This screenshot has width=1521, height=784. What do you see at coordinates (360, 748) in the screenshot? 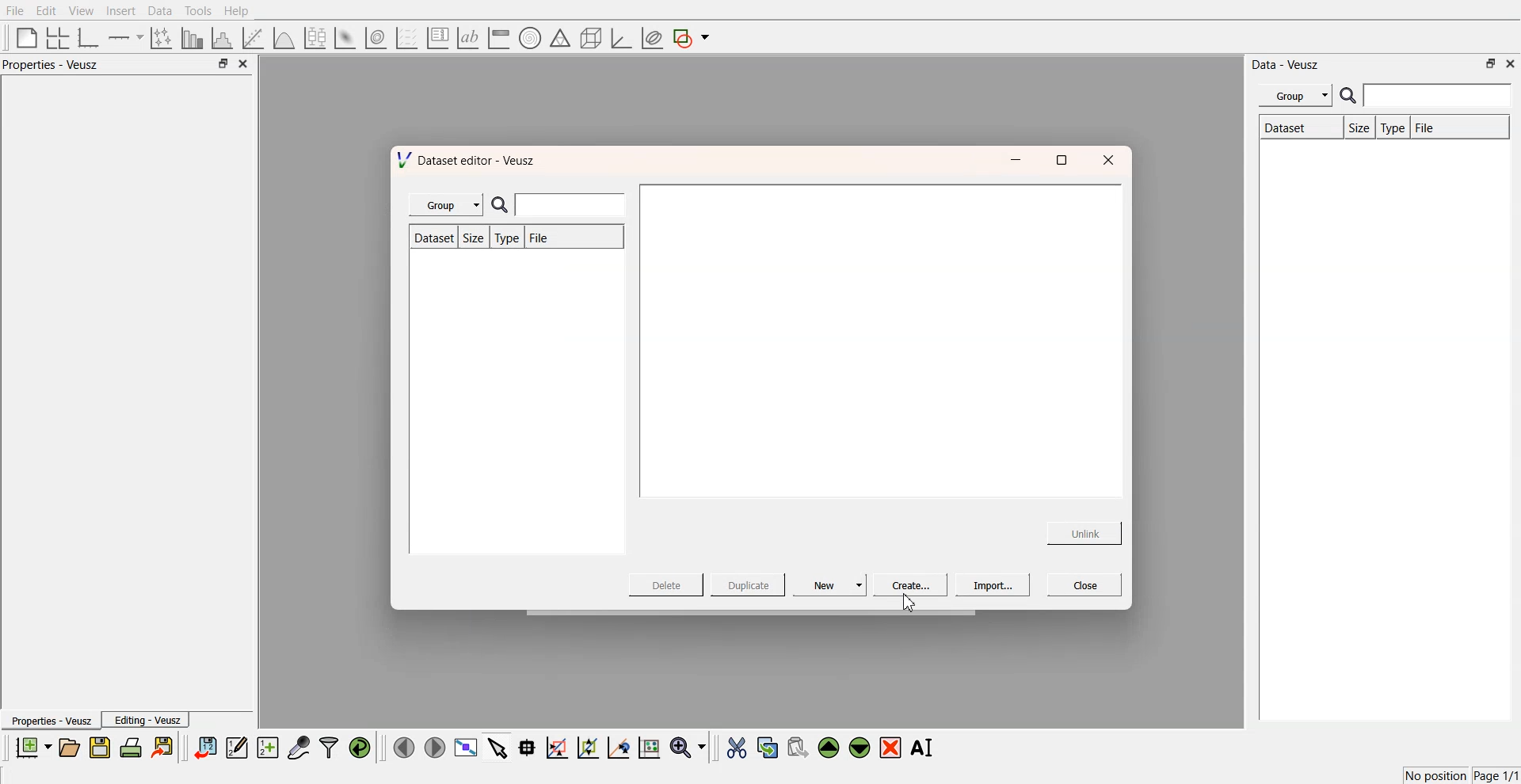
I see `reload the data points` at bounding box center [360, 748].